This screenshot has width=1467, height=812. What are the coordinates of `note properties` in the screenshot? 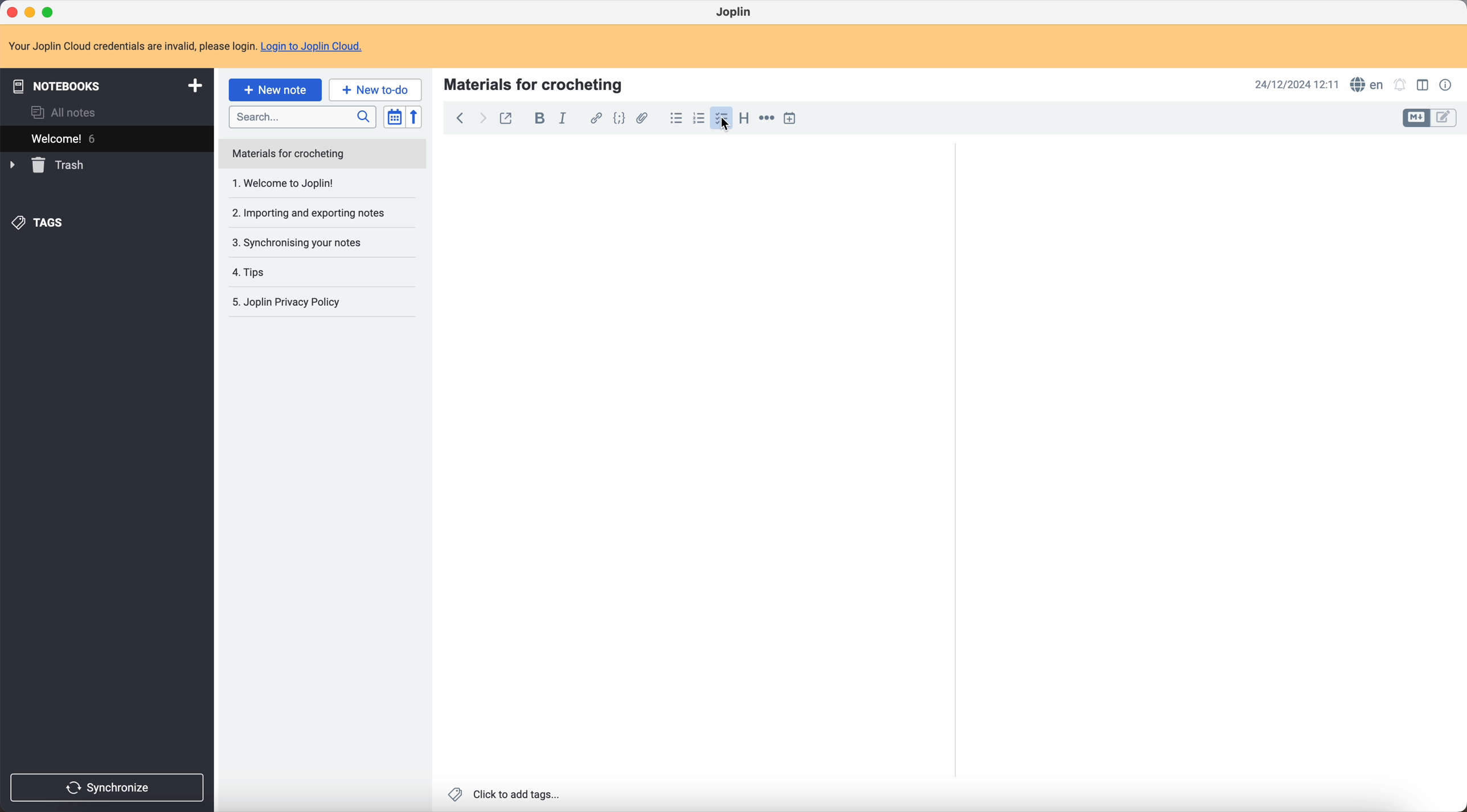 It's located at (1447, 85).